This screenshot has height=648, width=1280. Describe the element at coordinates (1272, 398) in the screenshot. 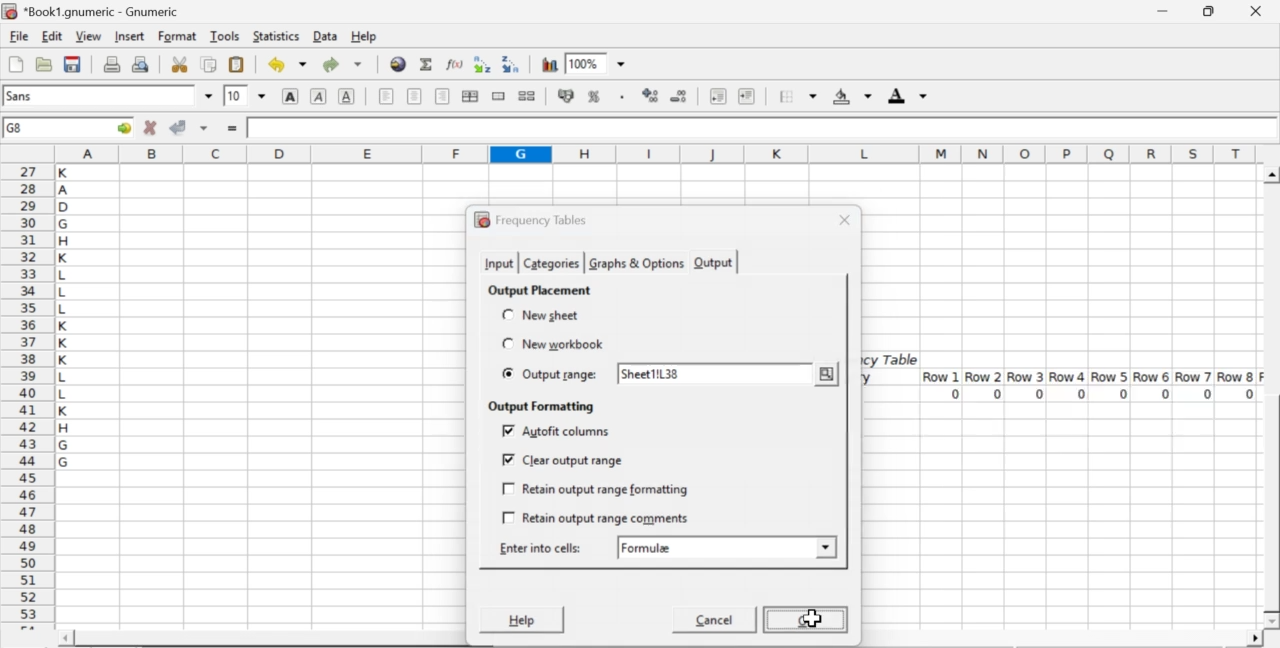

I see `scroll bar` at that location.